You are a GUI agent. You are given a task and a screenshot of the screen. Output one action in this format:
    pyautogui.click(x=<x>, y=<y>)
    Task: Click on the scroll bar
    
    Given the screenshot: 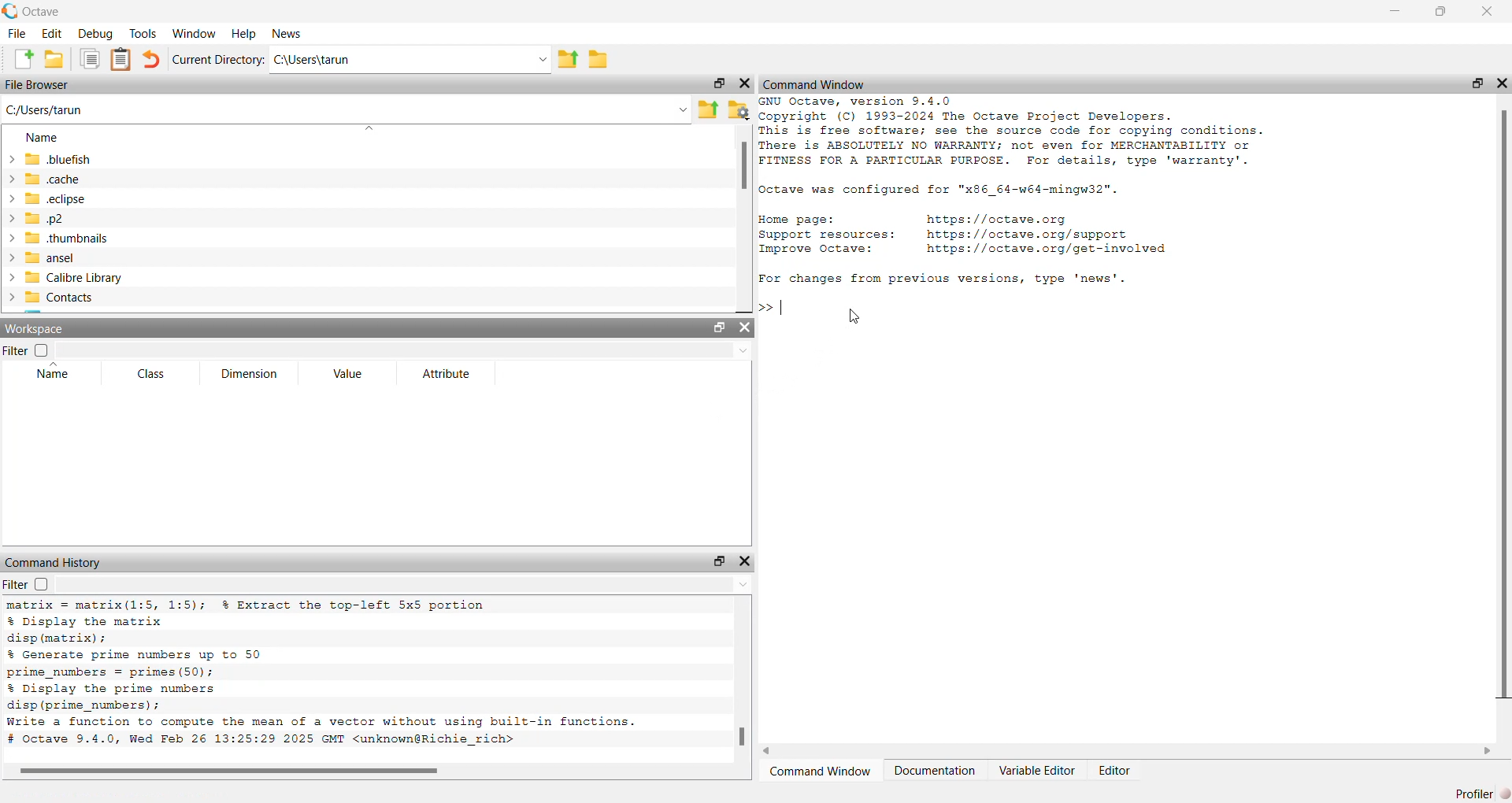 What is the action you would take?
    pyautogui.click(x=1505, y=402)
    